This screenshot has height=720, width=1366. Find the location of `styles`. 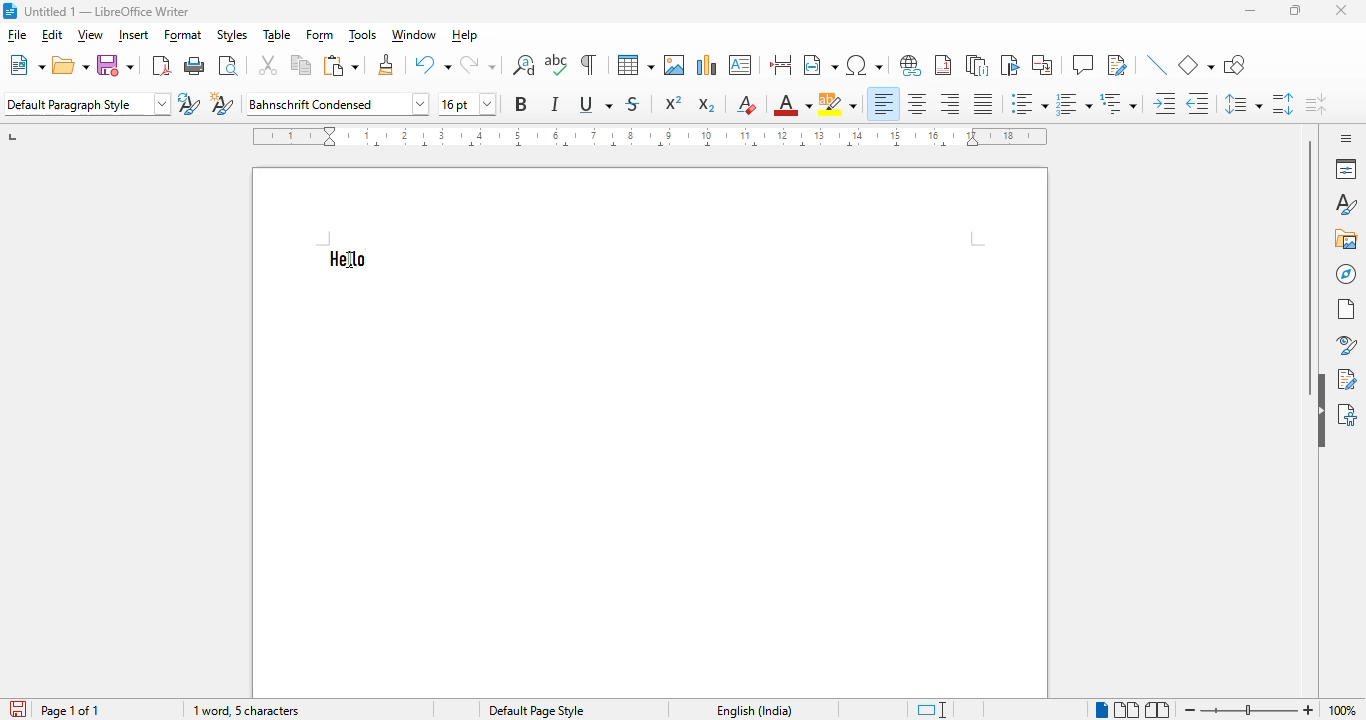

styles is located at coordinates (1344, 205).